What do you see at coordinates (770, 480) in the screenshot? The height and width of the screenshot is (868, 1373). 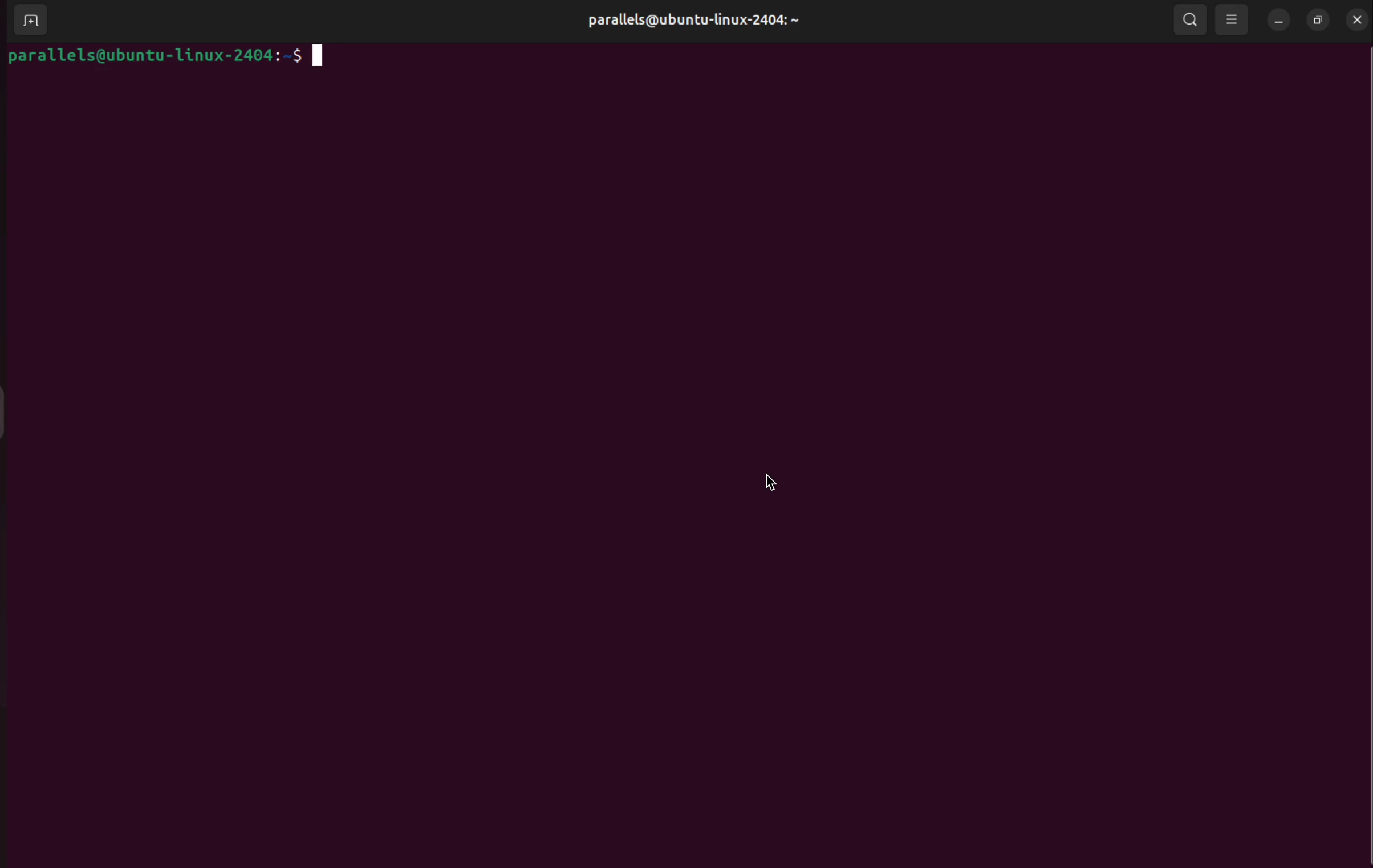 I see `cursor` at bounding box center [770, 480].